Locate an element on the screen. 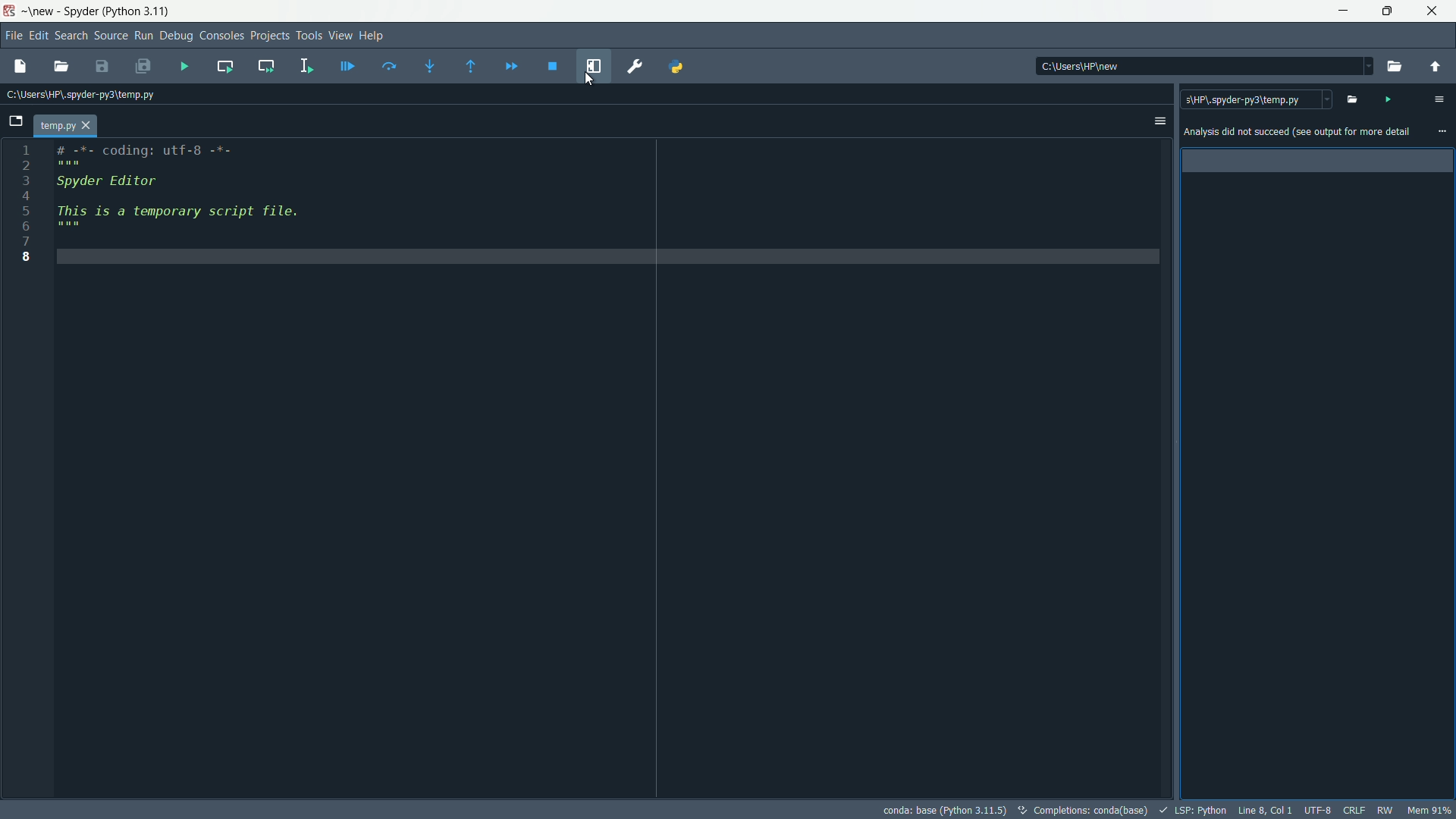  file encoding is located at coordinates (1319, 810).